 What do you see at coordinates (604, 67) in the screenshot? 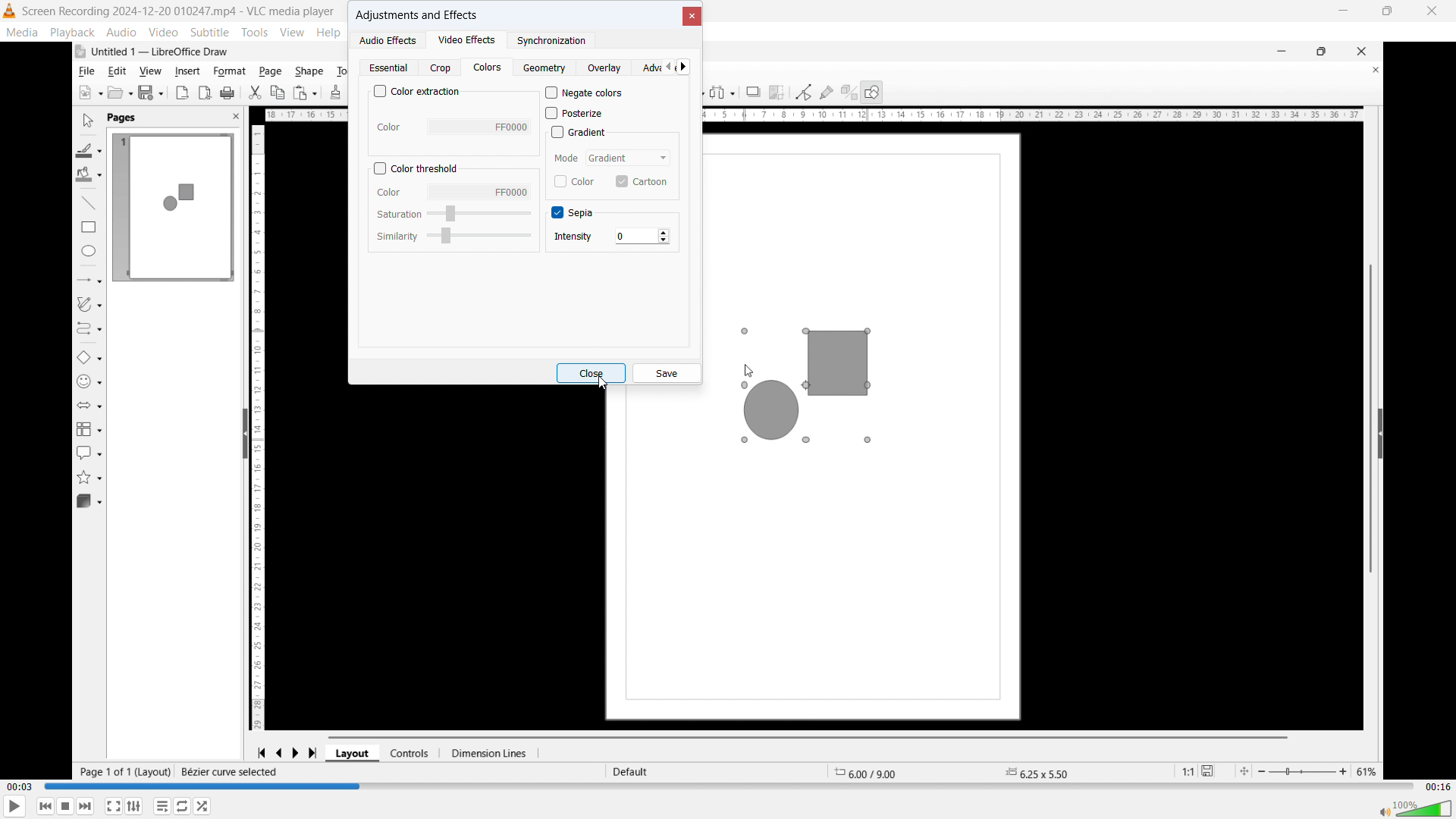
I see `Overlay ` at bounding box center [604, 67].